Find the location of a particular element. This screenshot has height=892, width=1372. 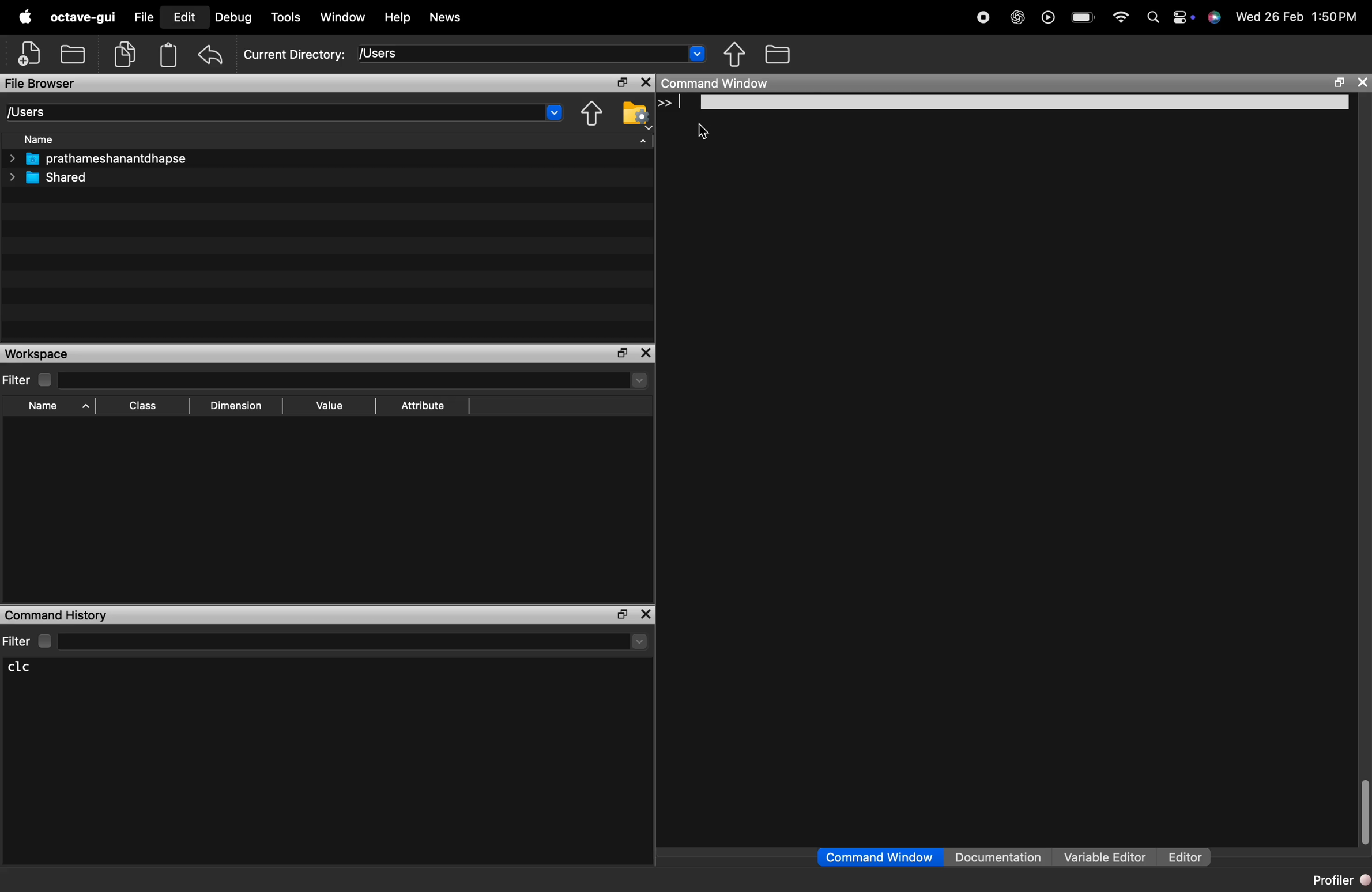

Wed 26 Feb is located at coordinates (1268, 17).